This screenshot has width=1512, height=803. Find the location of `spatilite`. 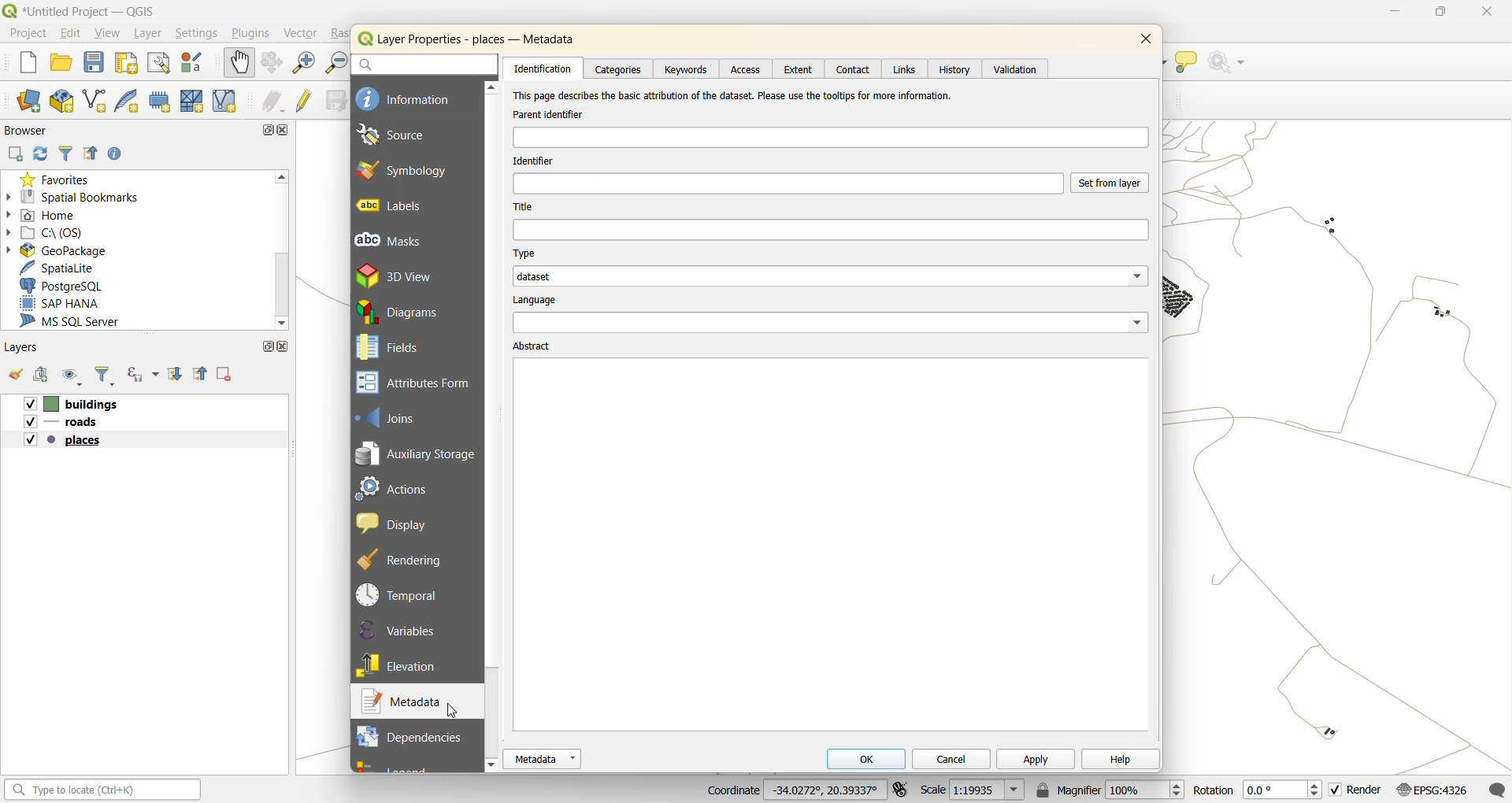

spatilite is located at coordinates (72, 265).